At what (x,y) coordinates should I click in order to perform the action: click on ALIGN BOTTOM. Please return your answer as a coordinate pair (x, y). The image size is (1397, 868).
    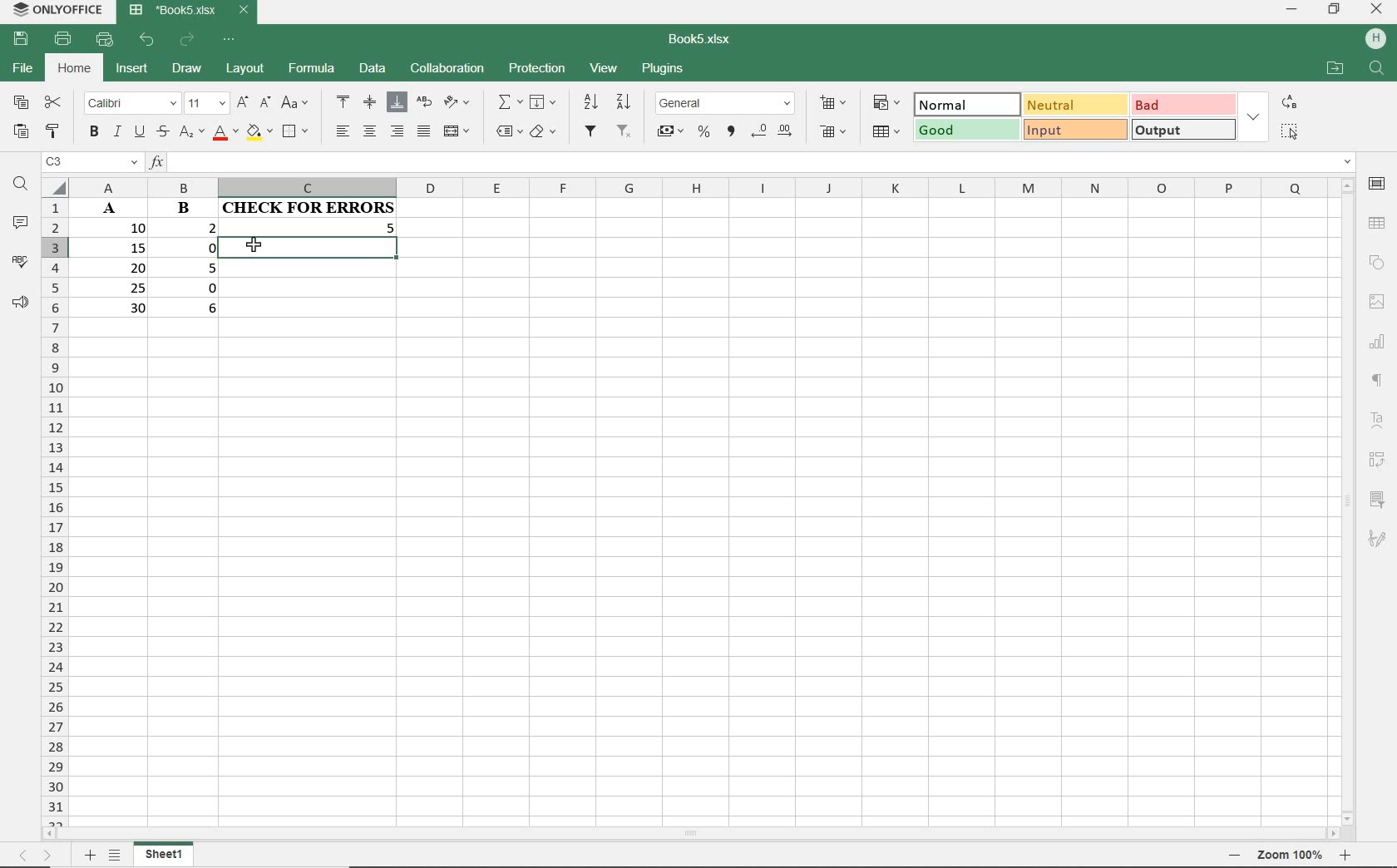
    Looking at the image, I should click on (397, 103).